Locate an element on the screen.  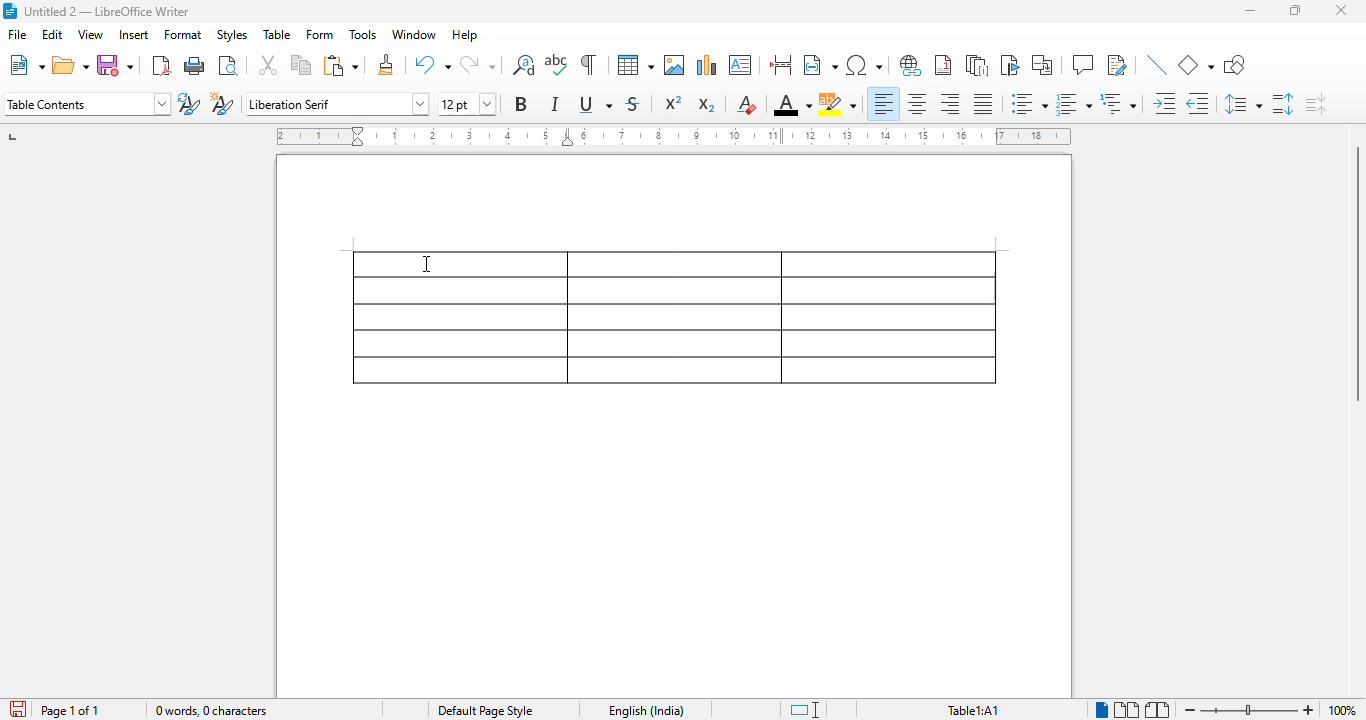
table is located at coordinates (277, 34).